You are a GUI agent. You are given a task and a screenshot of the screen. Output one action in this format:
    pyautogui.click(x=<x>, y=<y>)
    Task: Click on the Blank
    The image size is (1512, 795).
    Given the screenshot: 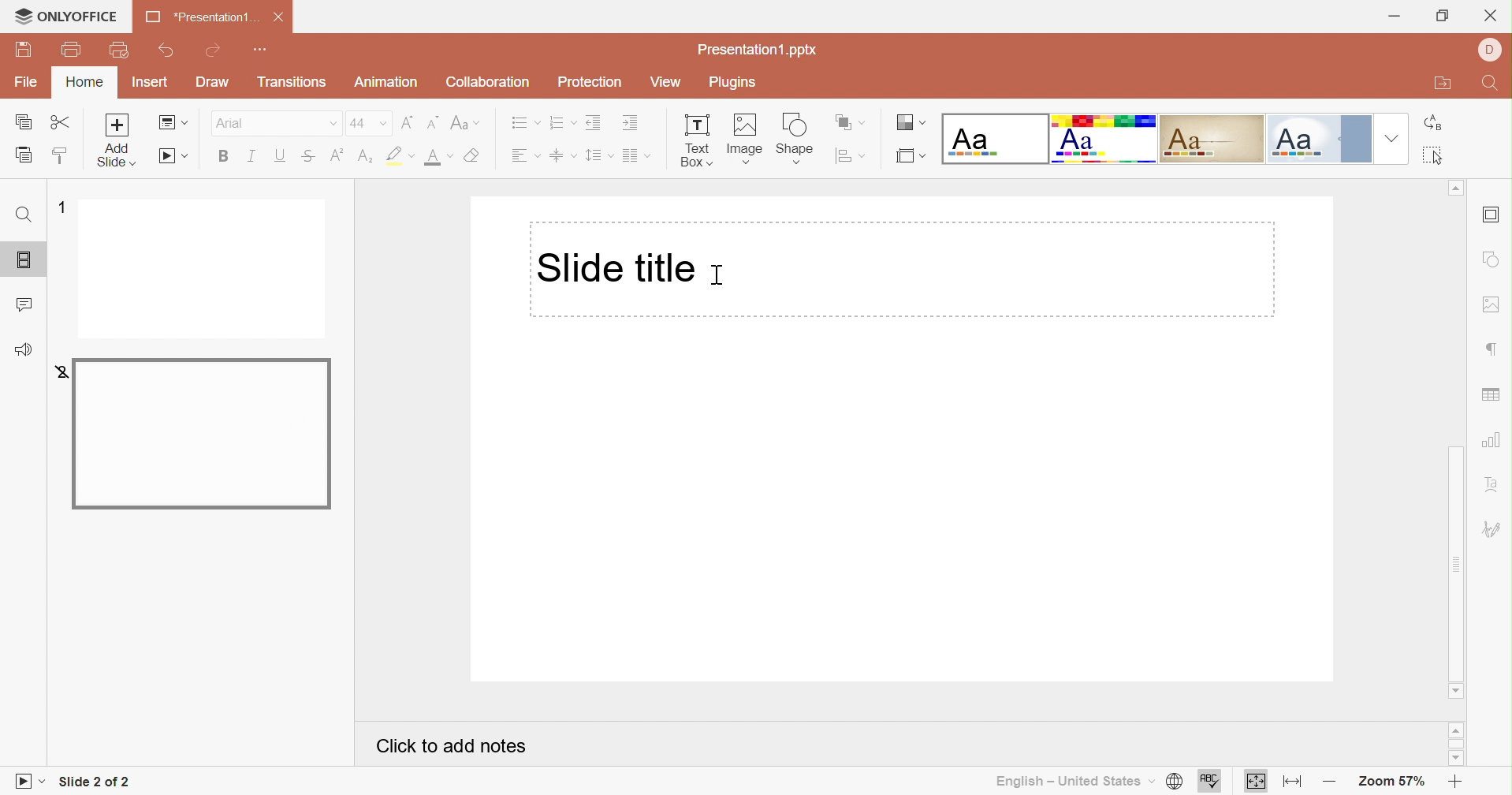 What is the action you would take?
    pyautogui.click(x=994, y=138)
    